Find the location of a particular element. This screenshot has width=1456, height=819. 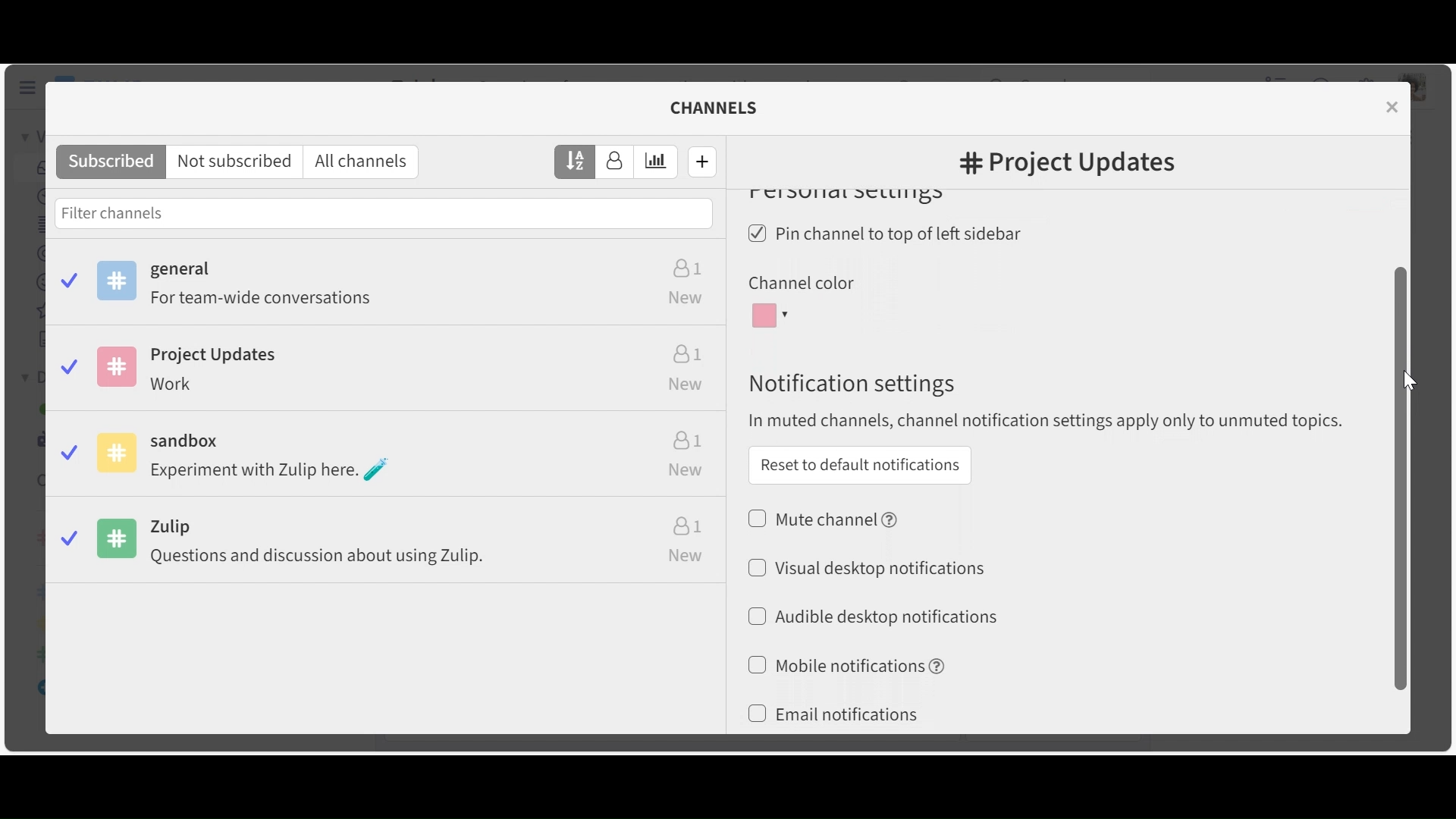

In muted channels, channel notification settings apply to only to unmuted topics is located at coordinates (1053, 422).